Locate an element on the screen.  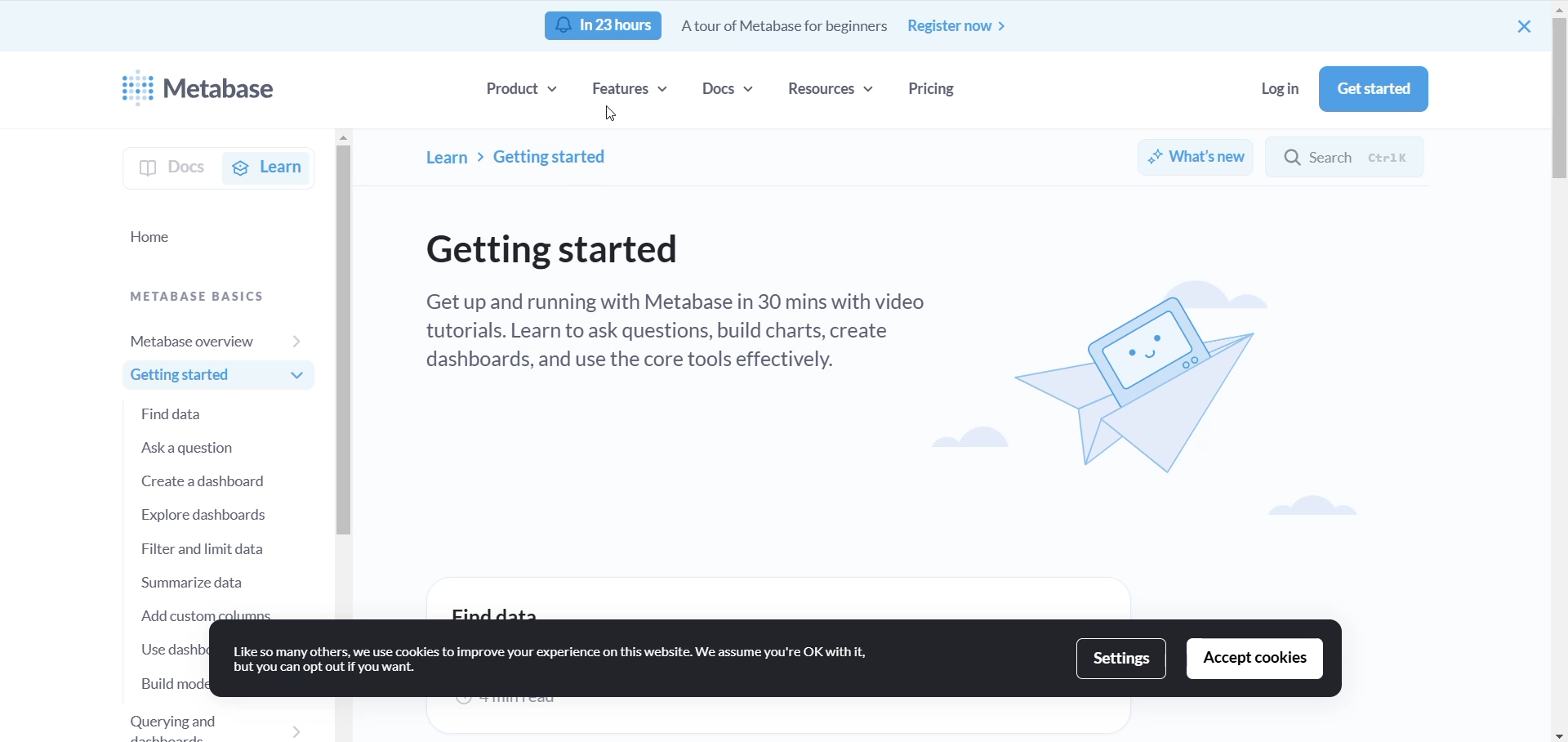
resources is located at coordinates (832, 90).